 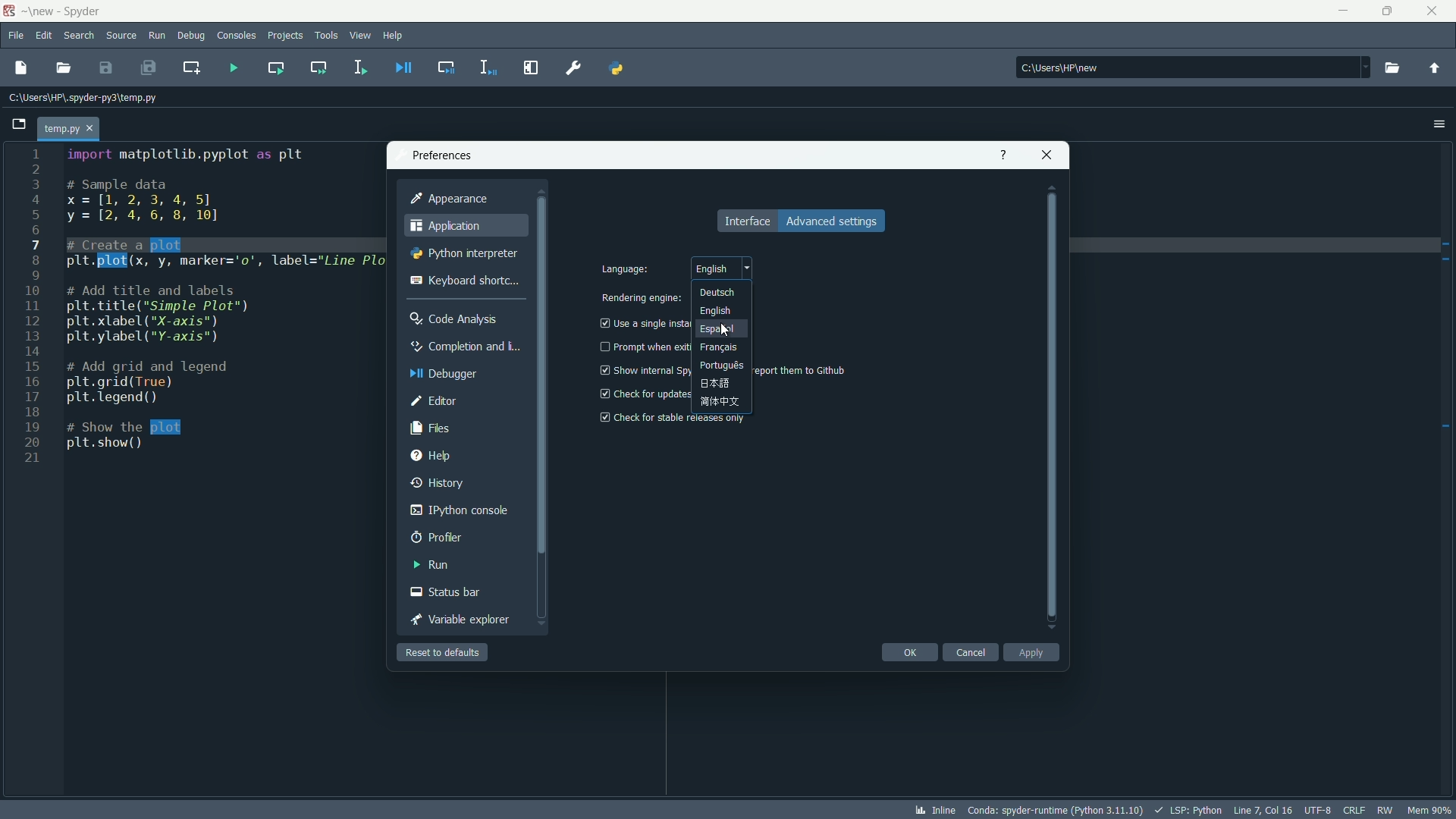 I want to click on file encoding, so click(x=1317, y=811).